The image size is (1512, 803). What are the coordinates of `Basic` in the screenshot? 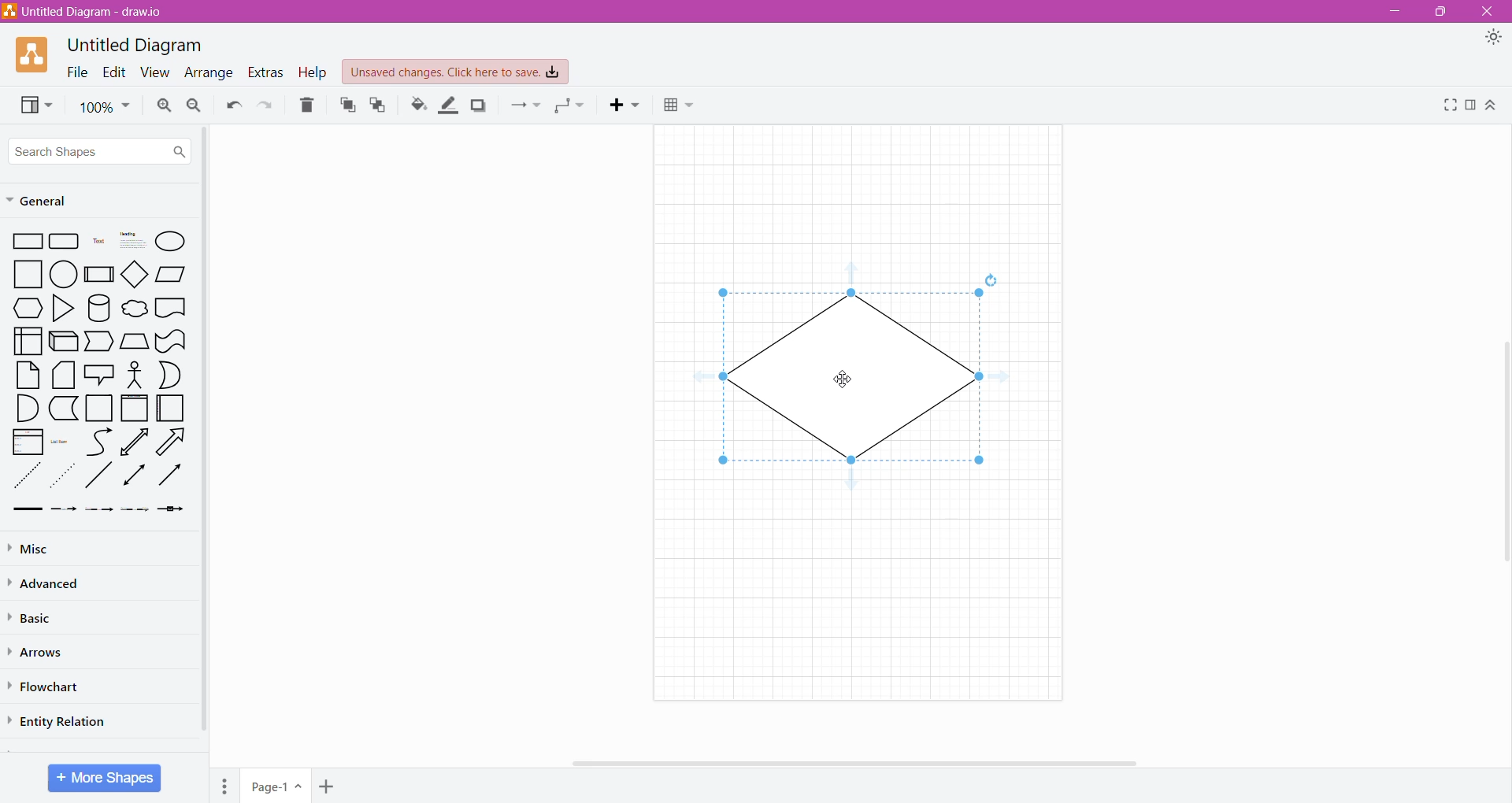 It's located at (39, 616).